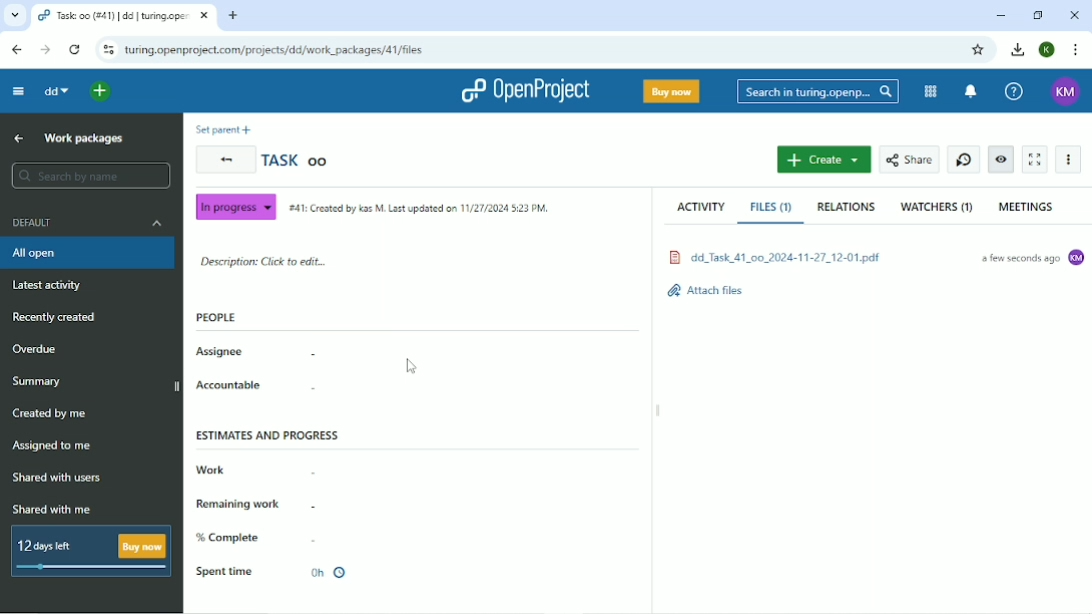 Image resolution: width=1092 pixels, height=614 pixels. Describe the element at coordinates (242, 503) in the screenshot. I see `Remaining work` at that location.